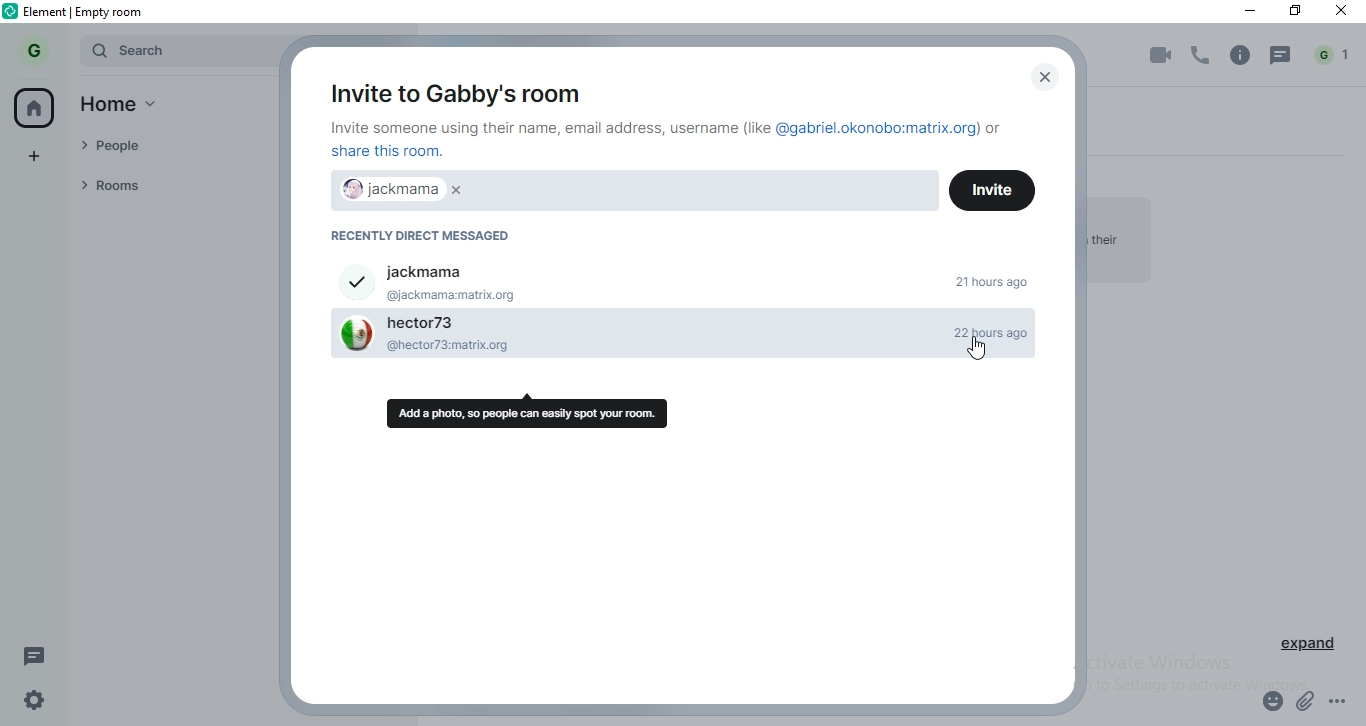 The height and width of the screenshot is (726, 1366). Describe the element at coordinates (402, 191) in the screenshot. I see `jackmamae` at that location.